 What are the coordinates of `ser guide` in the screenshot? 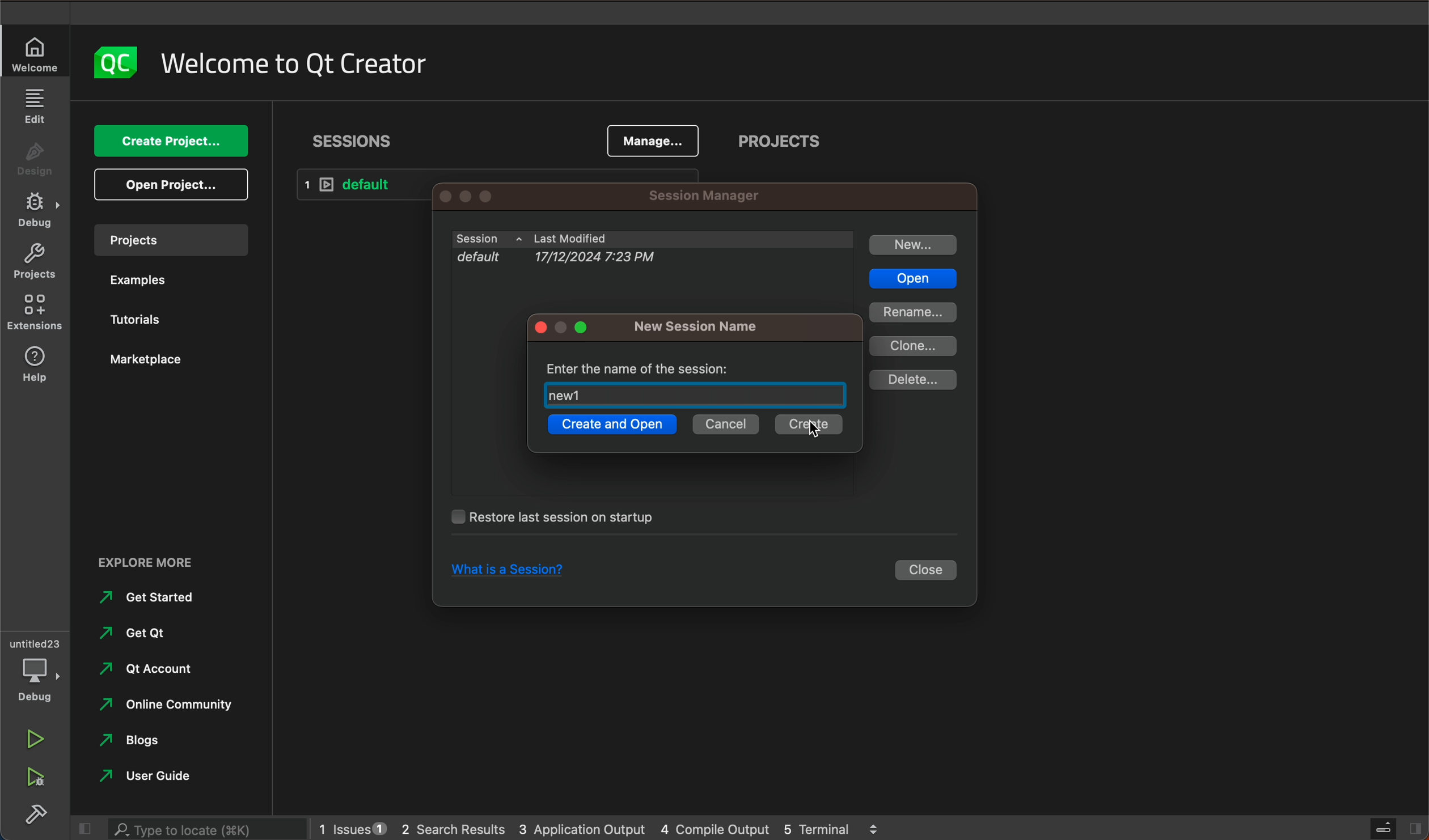 It's located at (150, 775).